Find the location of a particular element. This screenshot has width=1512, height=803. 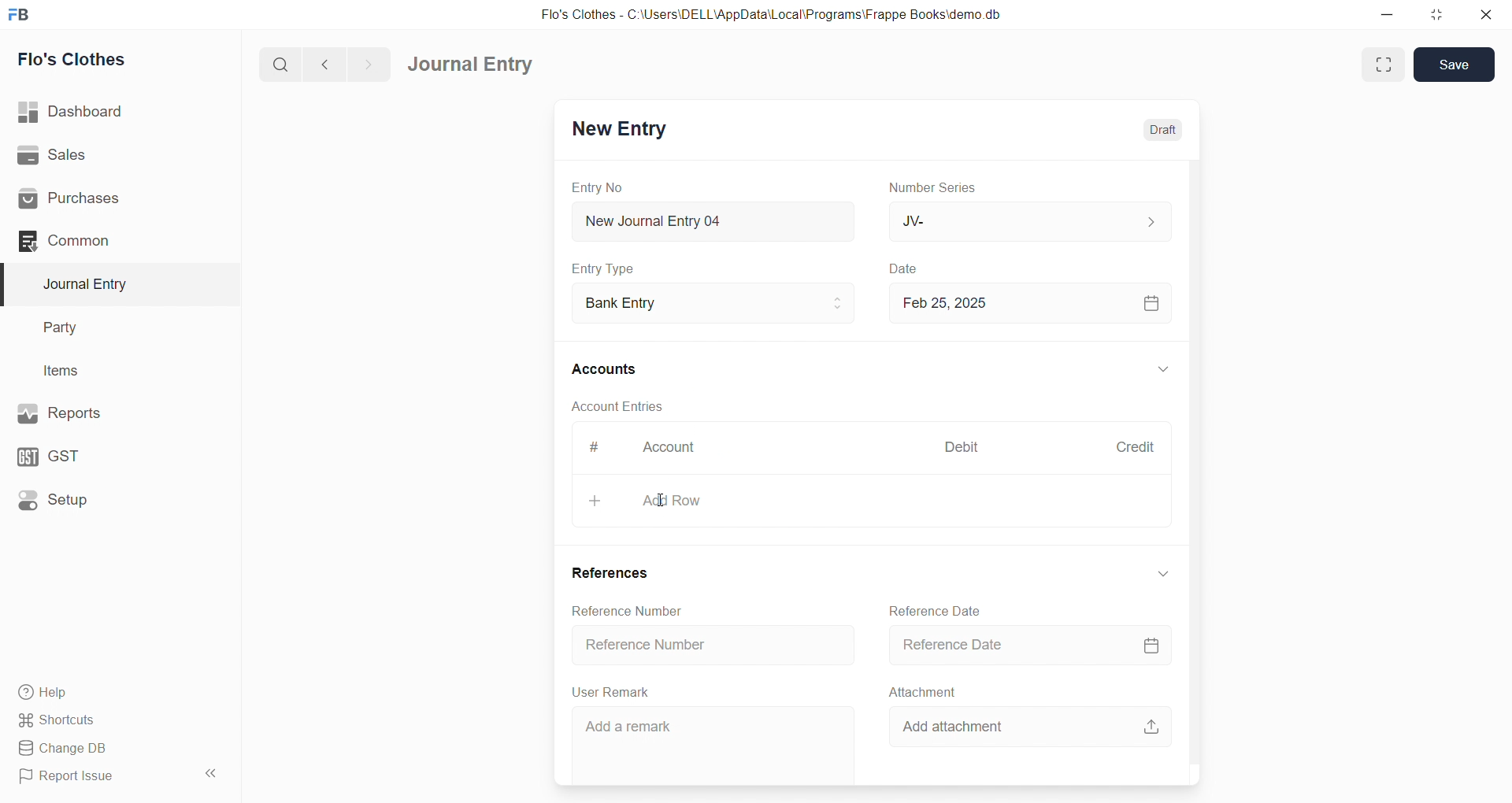

Journal Entry is located at coordinates (476, 65).